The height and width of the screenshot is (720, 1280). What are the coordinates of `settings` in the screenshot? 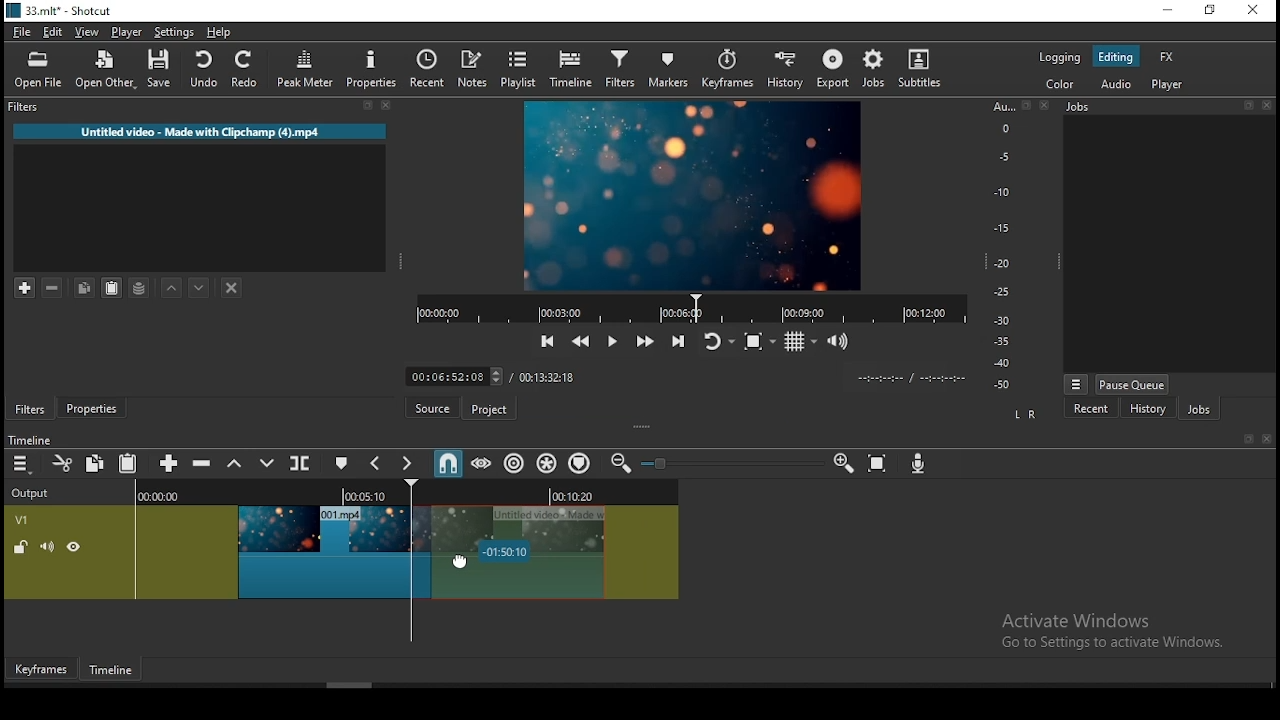 It's located at (176, 32).